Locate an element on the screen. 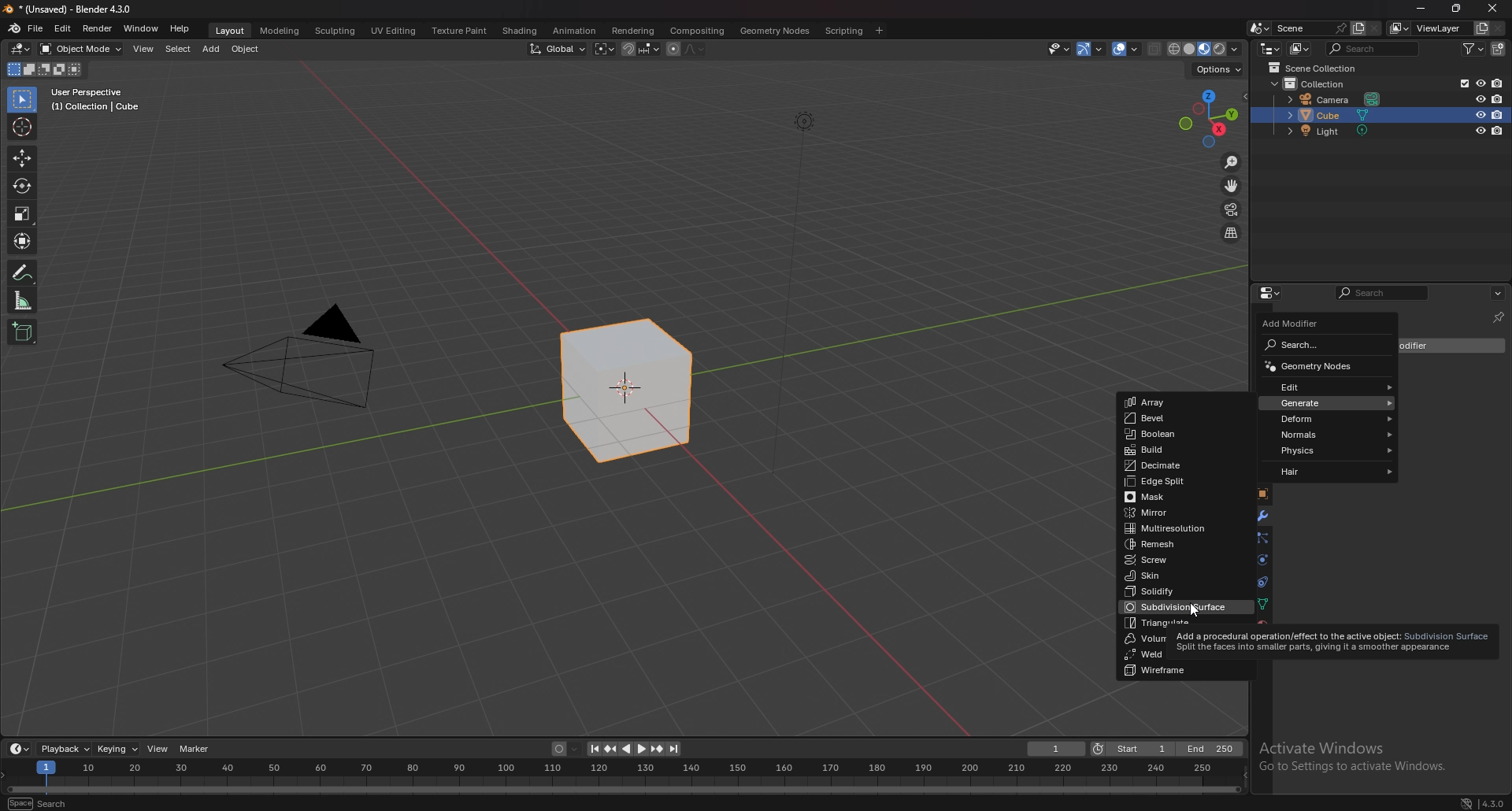 The width and height of the screenshot is (1512, 811). file is located at coordinates (35, 29).